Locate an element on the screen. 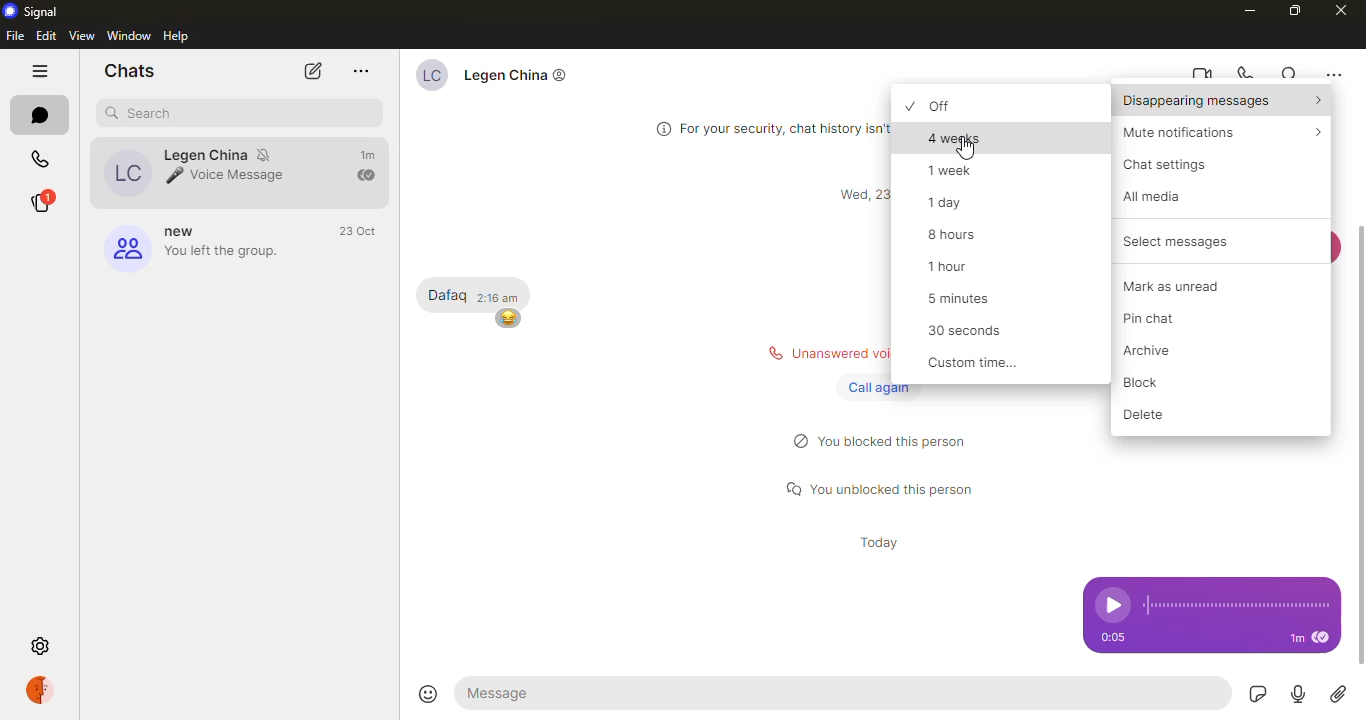 The height and width of the screenshot is (720, 1366). voice call is located at coordinates (1247, 73).